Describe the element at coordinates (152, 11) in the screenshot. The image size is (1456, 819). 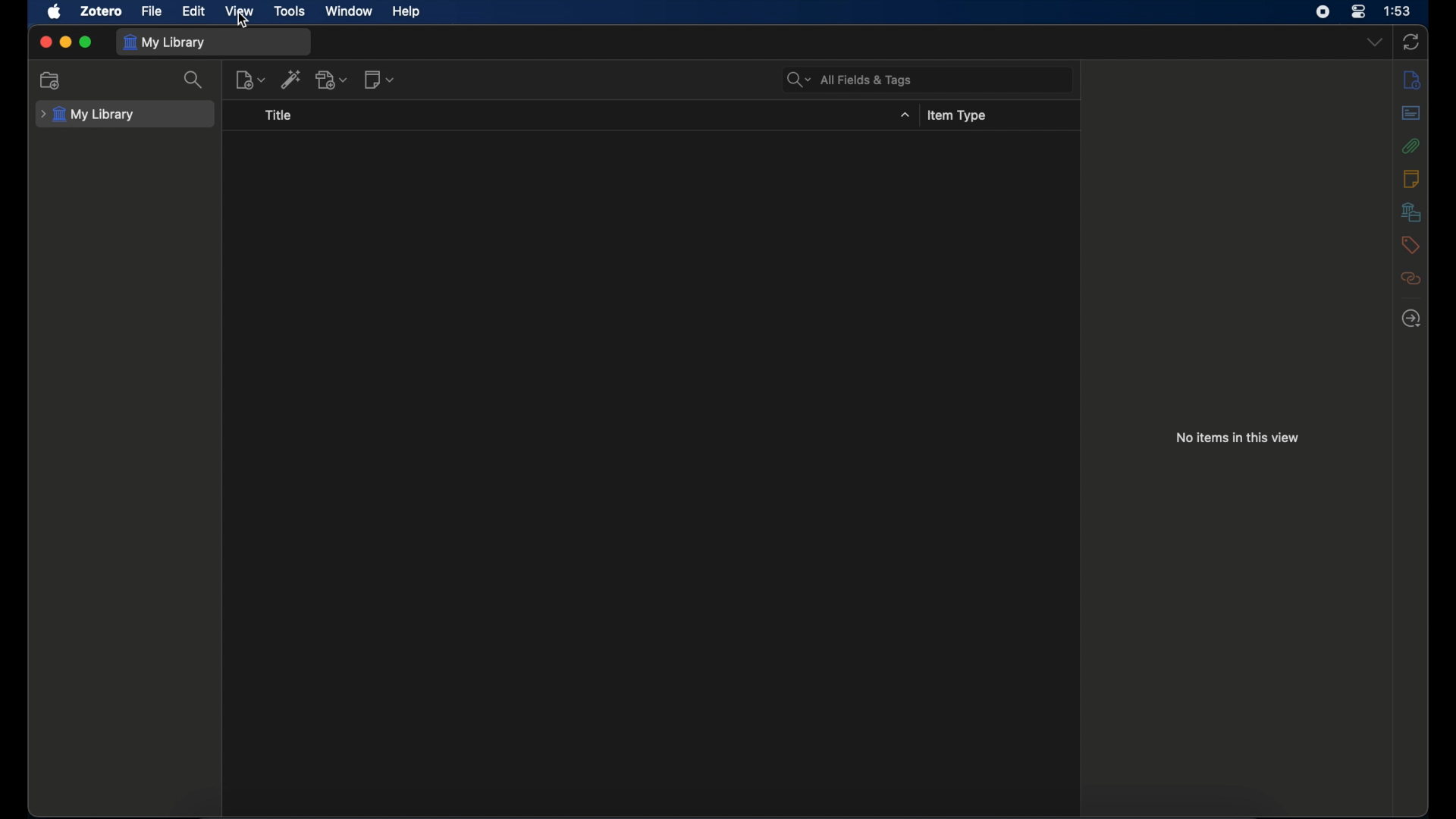
I see `file` at that location.